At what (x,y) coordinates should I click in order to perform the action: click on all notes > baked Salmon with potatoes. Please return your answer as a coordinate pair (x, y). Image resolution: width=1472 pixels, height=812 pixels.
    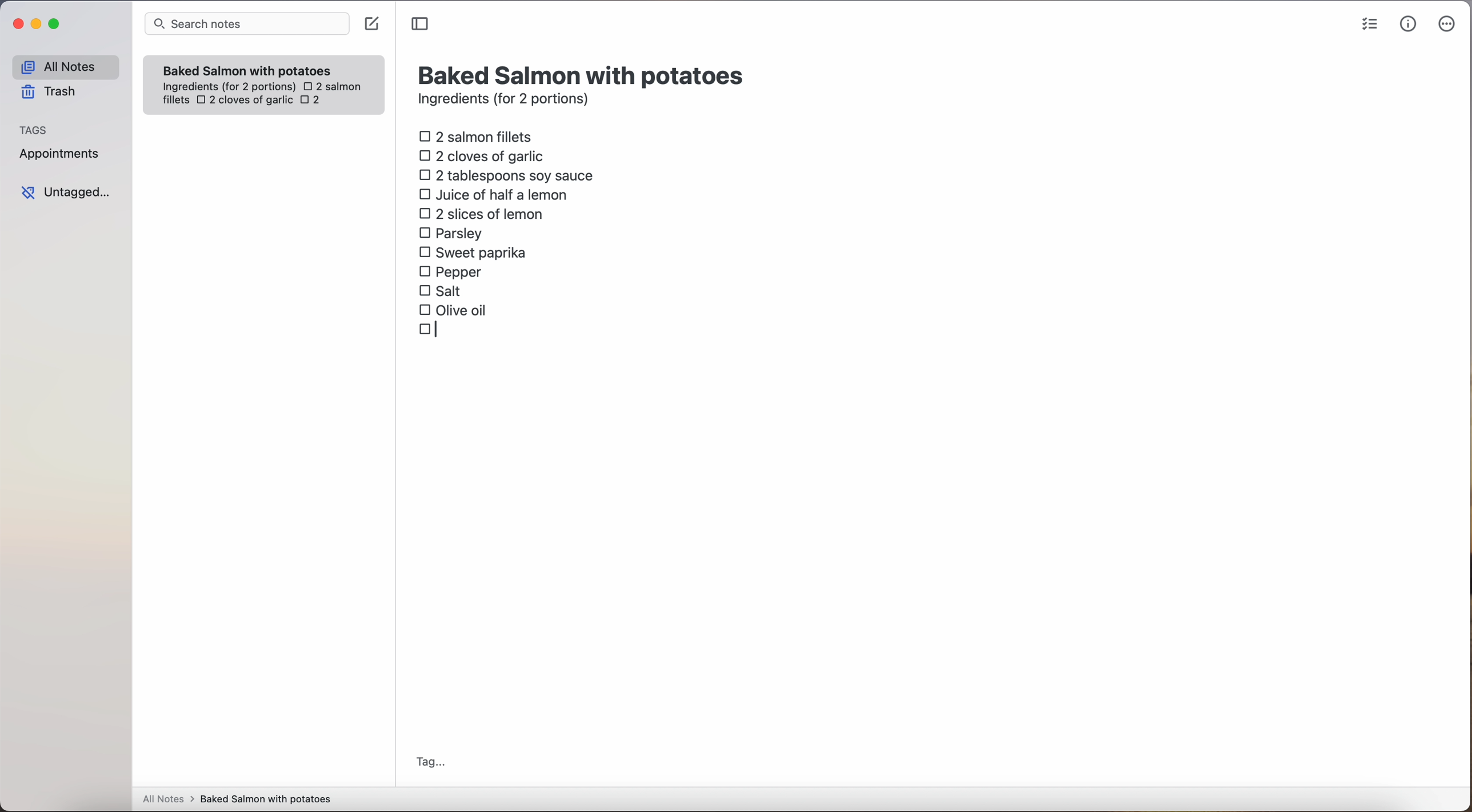
    Looking at the image, I should click on (237, 798).